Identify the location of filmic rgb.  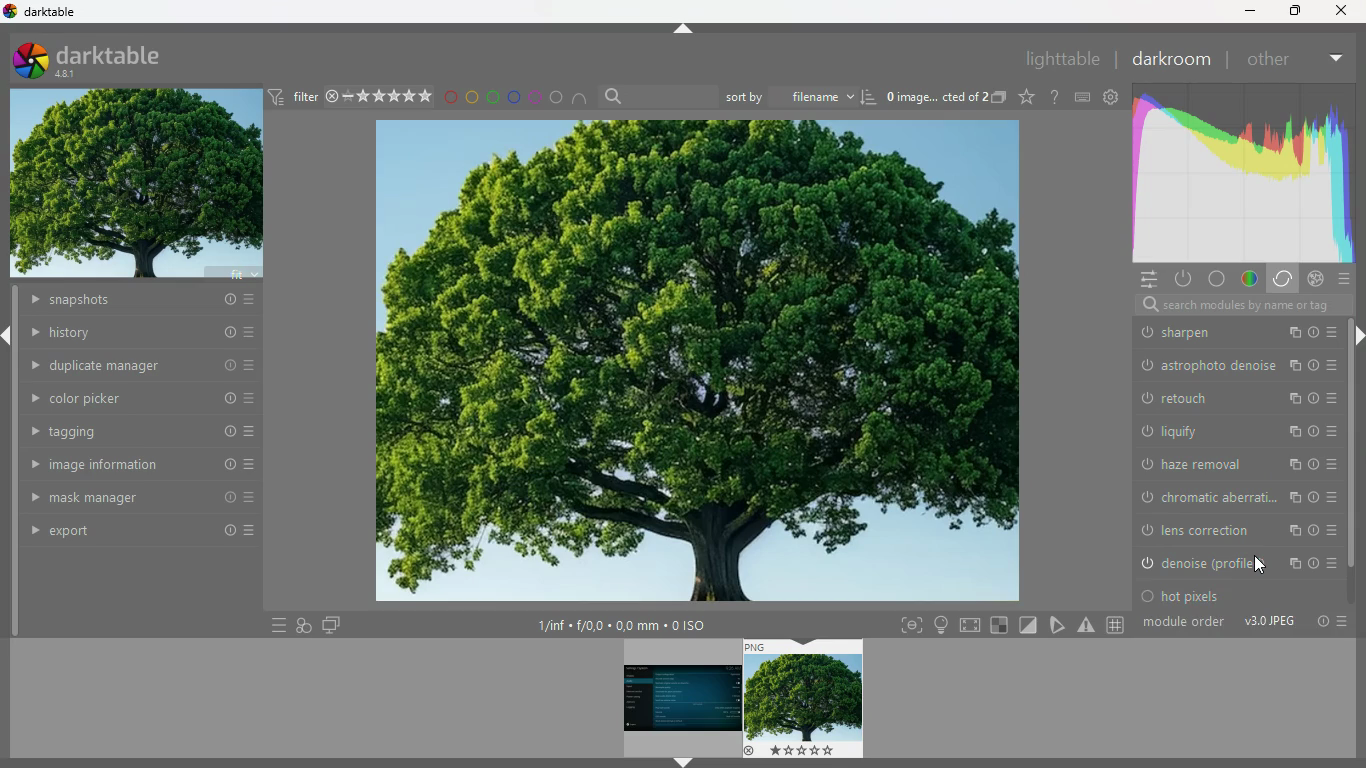
(1219, 395).